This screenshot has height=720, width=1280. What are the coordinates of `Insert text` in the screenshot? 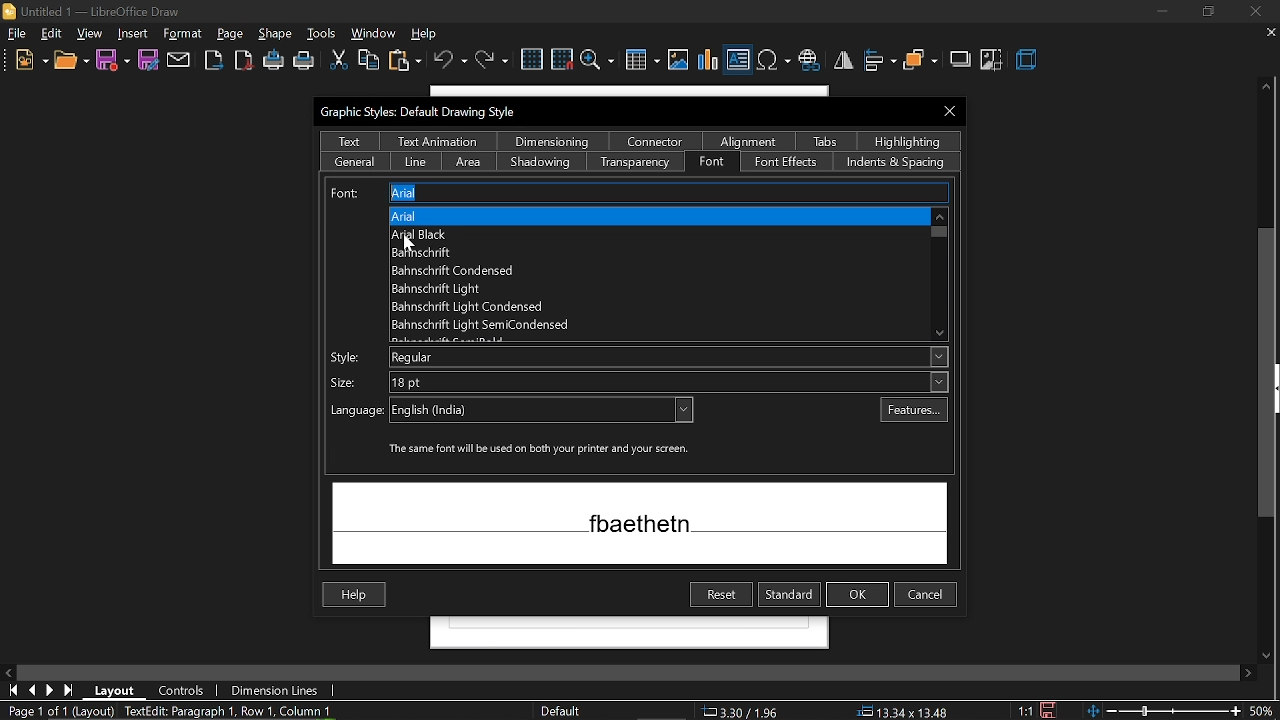 It's located at (738, 59).